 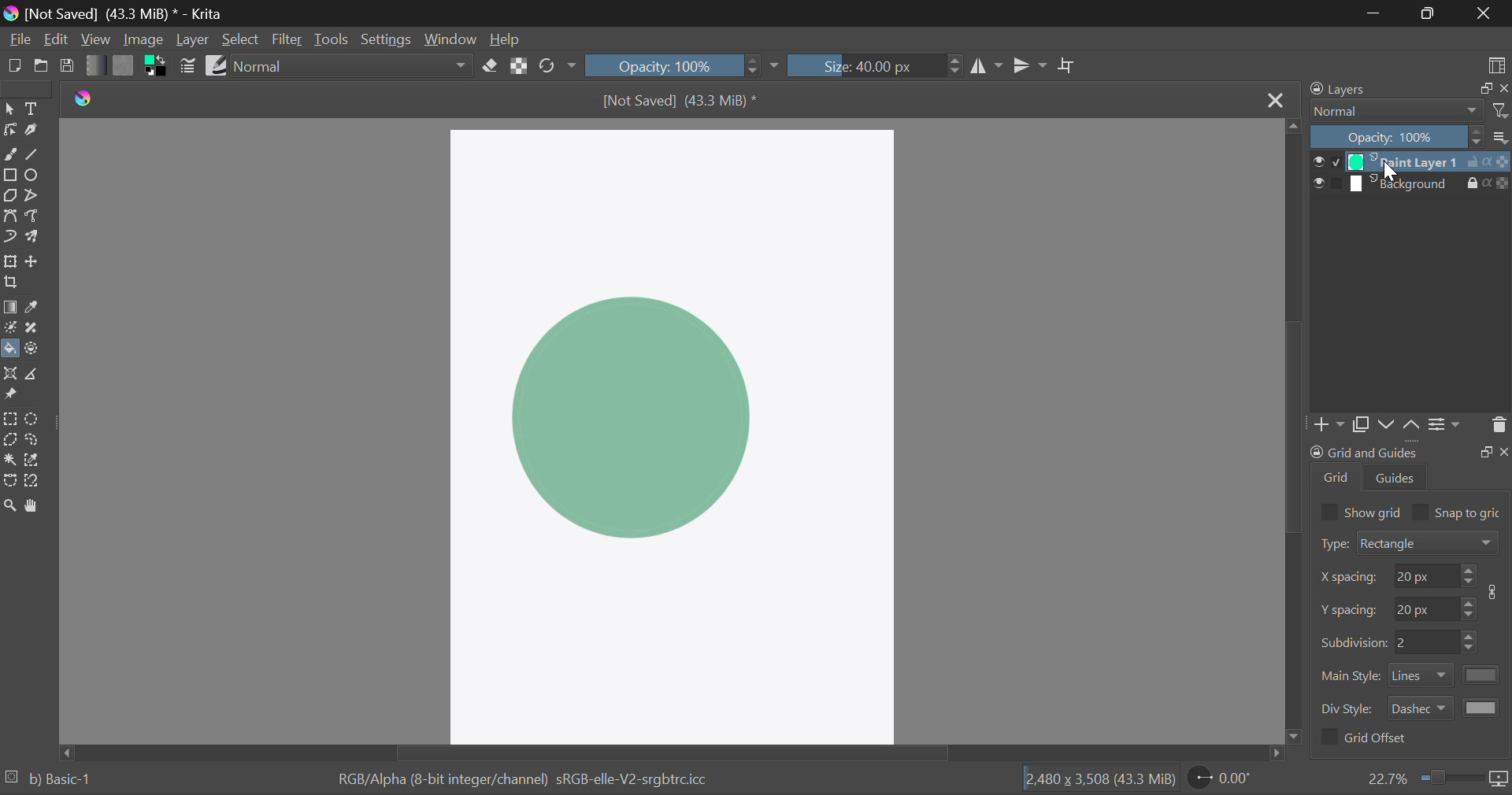 What do you see at coordinates (141, 40) in the screenshot?
I see `Image` at bounding box center [141, 40].